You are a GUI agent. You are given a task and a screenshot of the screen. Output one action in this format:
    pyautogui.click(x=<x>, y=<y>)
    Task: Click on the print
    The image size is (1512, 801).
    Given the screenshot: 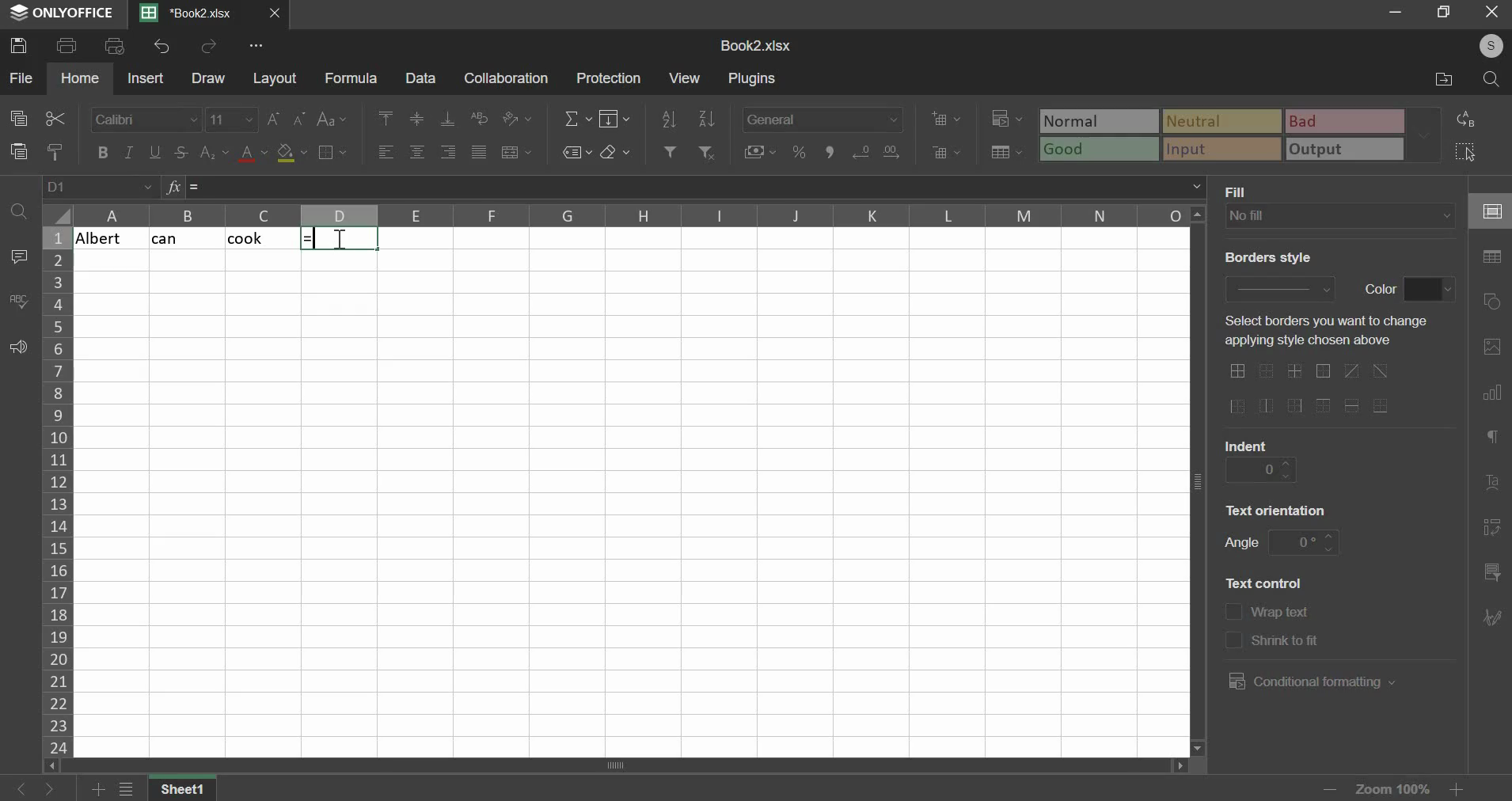 What is the action you would take?
    pyautogui.click(x=67, y=46)
    